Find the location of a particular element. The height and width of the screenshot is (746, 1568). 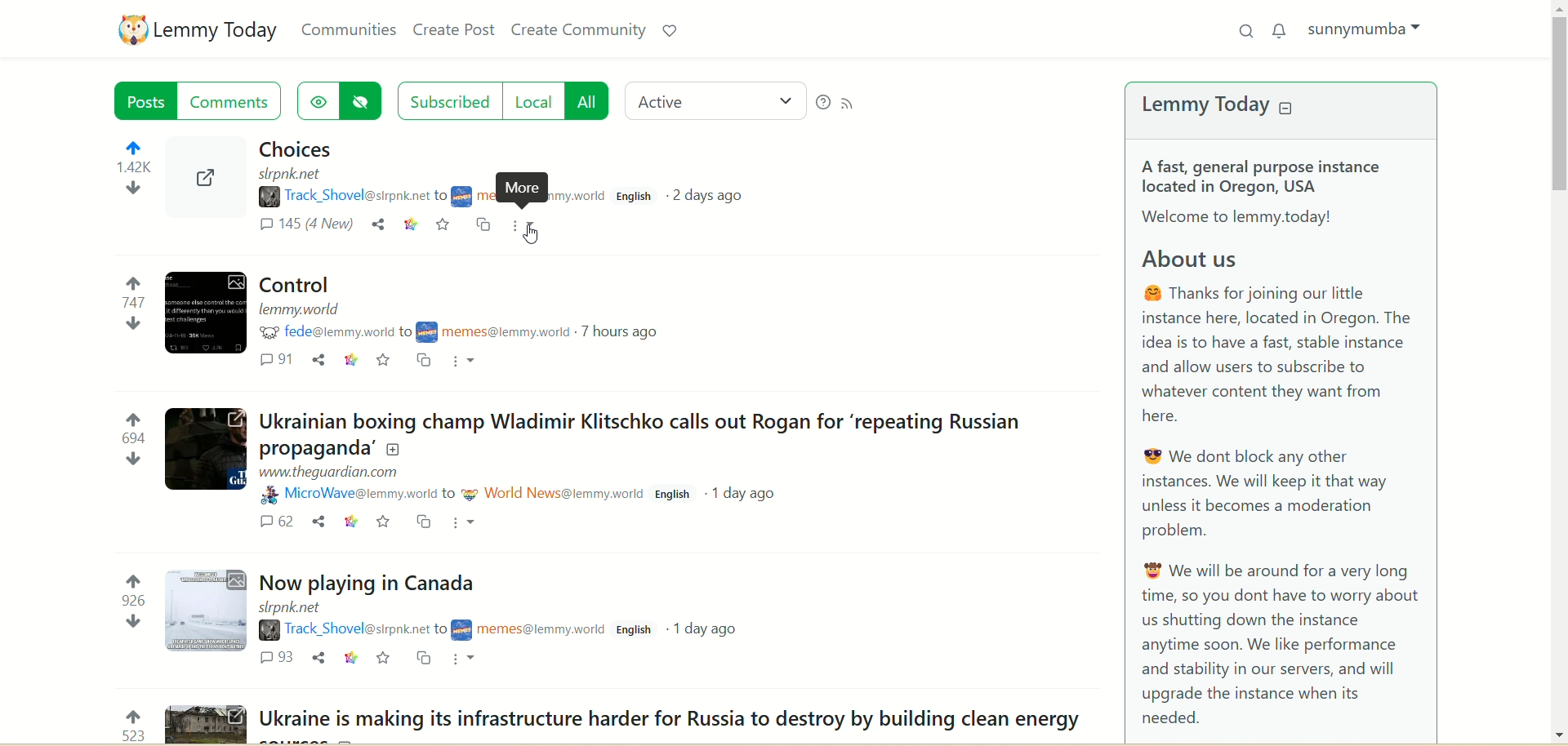

votes up and down is located at coordinates (115, 306).